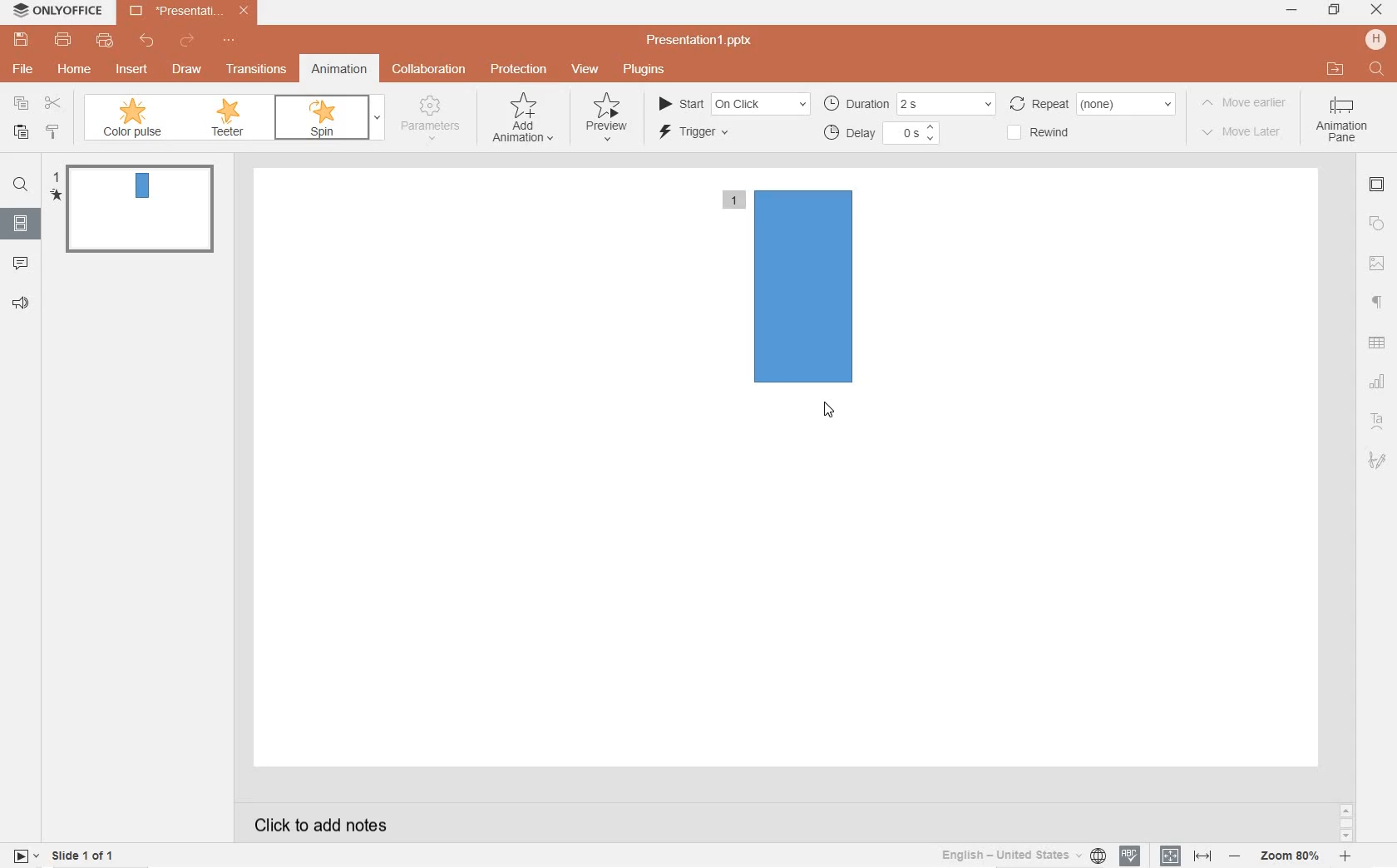 This screenshot has width=1397, height=868. Describe the element at coordinates (18, 133) in the screenshot. I see `paste` at that location.